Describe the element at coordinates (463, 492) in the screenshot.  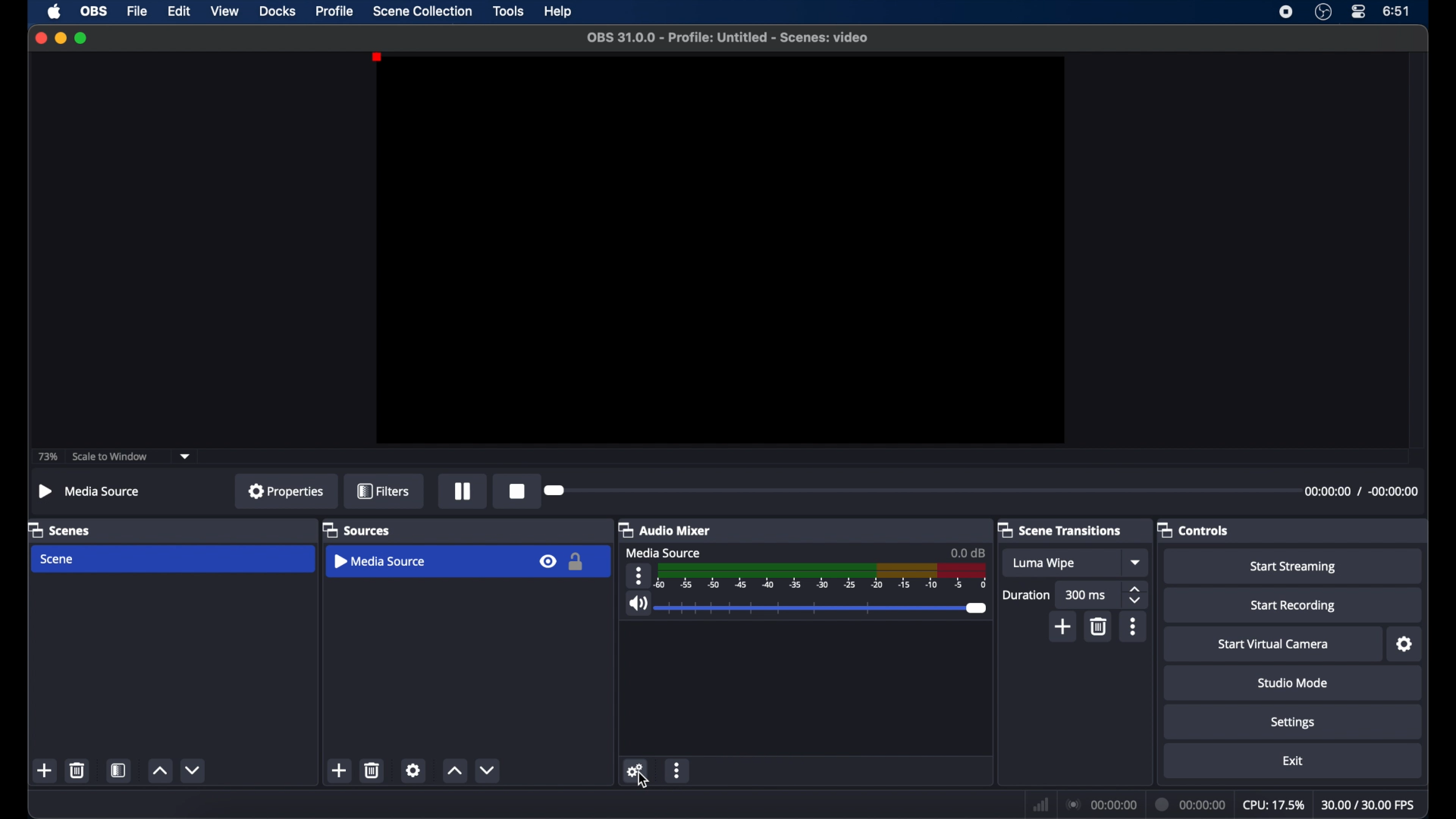
I see `pause` at that location.